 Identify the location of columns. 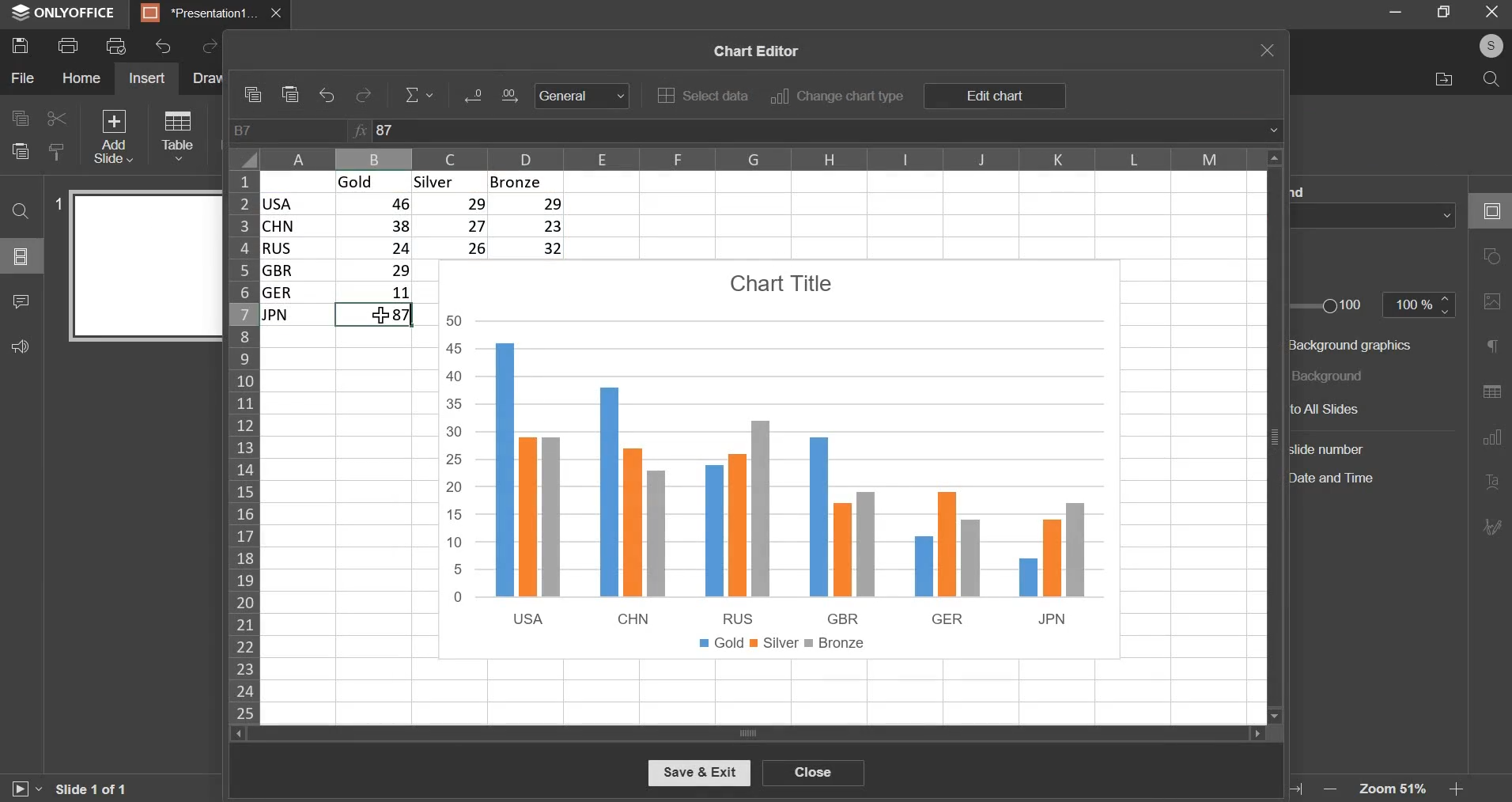
(759, 157).